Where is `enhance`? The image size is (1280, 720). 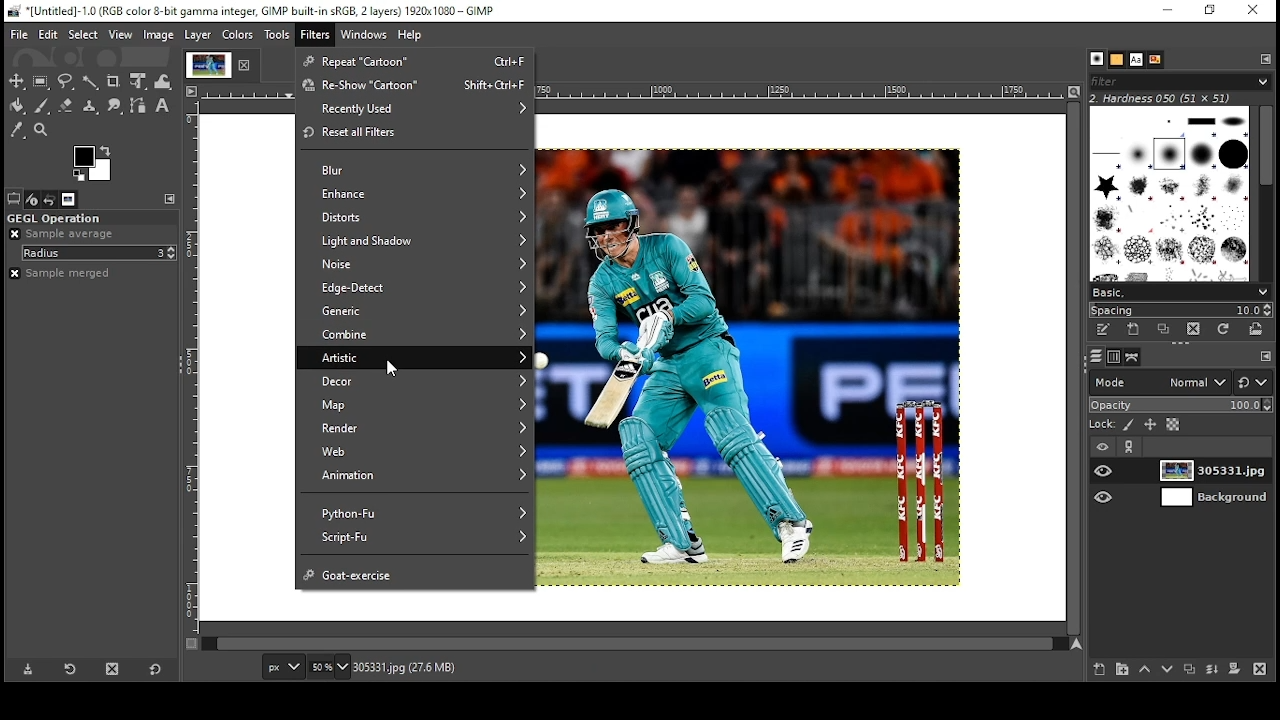
enhance is located at coordinates (415, 194).